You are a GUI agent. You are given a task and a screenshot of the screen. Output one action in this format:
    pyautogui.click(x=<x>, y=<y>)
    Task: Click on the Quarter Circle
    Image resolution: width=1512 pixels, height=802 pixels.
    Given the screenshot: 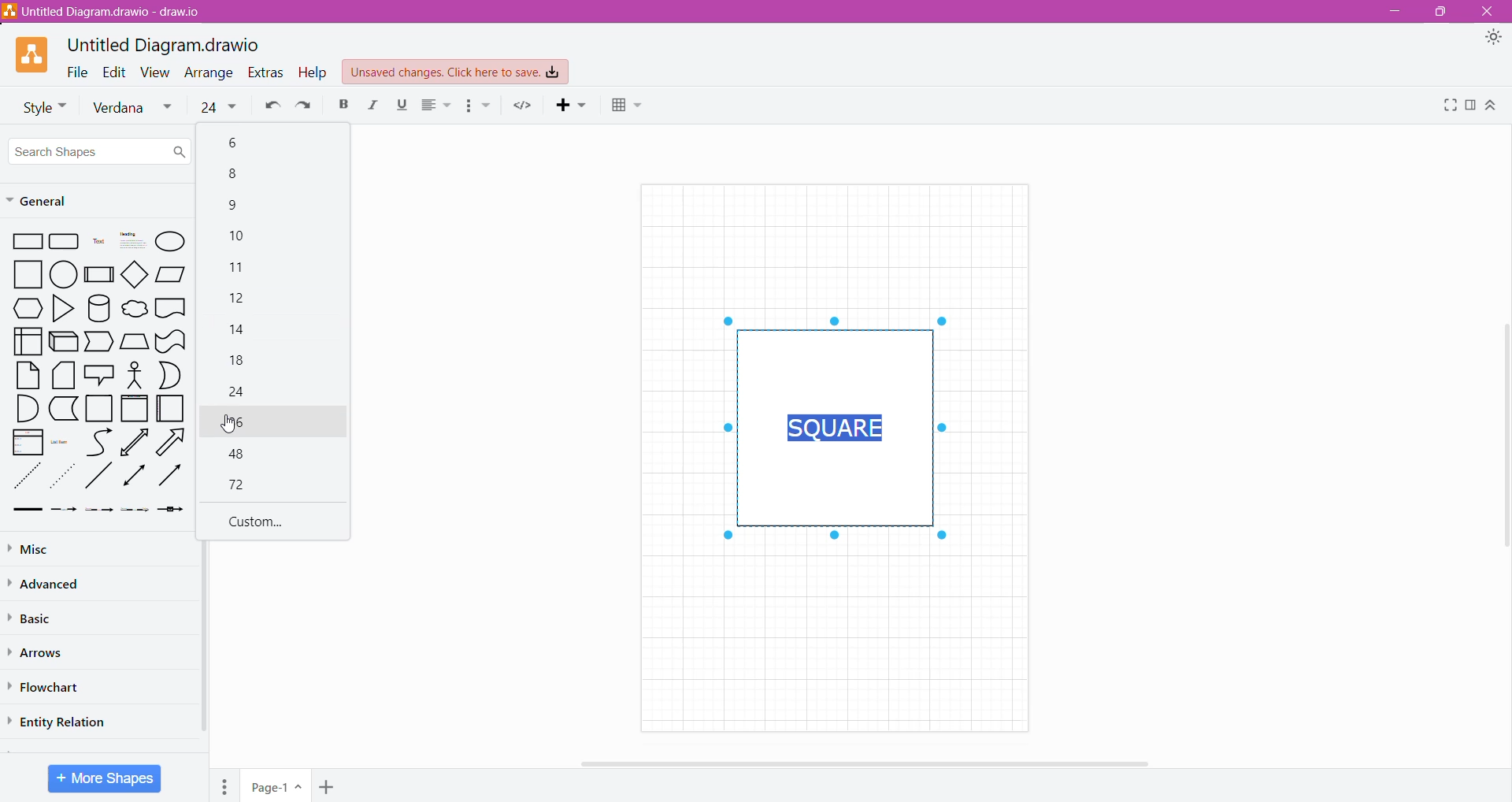 What is the action you would take?
    pyautogui.click(x=22, y=409)
    